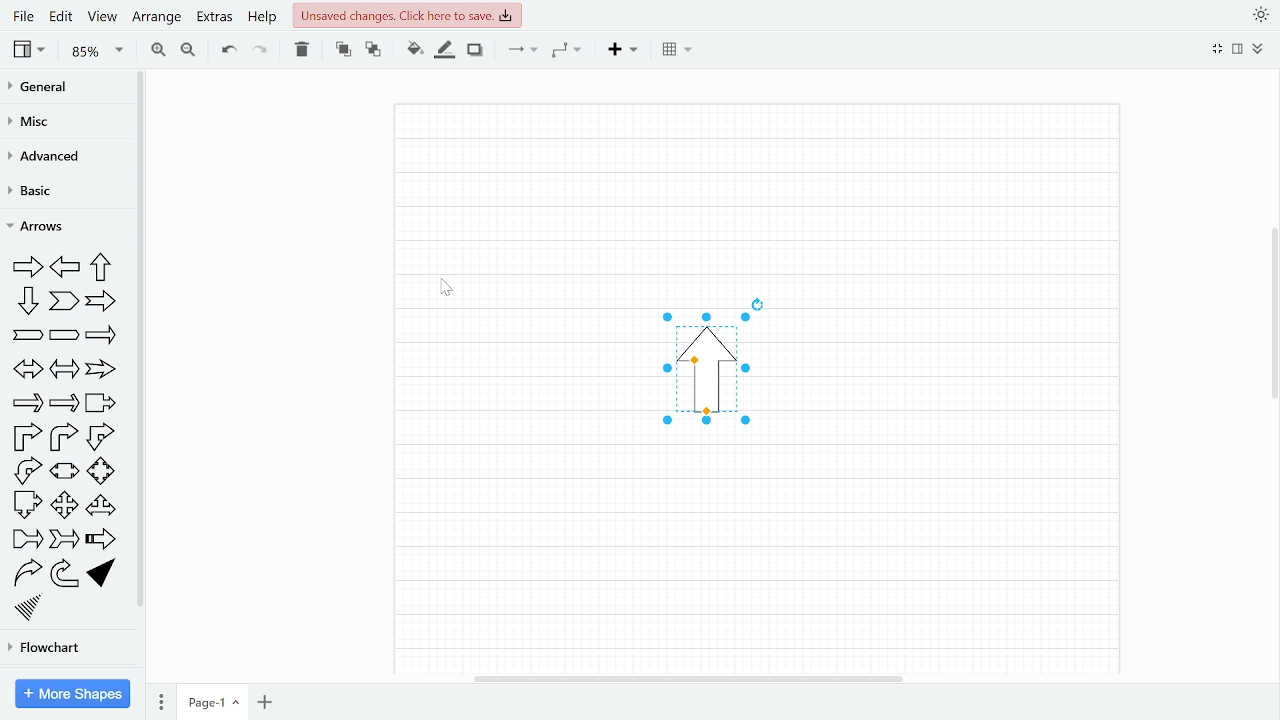 The height and width of the screenshot is (720, 1280). I want to click on Rotate, so click(755, 301).